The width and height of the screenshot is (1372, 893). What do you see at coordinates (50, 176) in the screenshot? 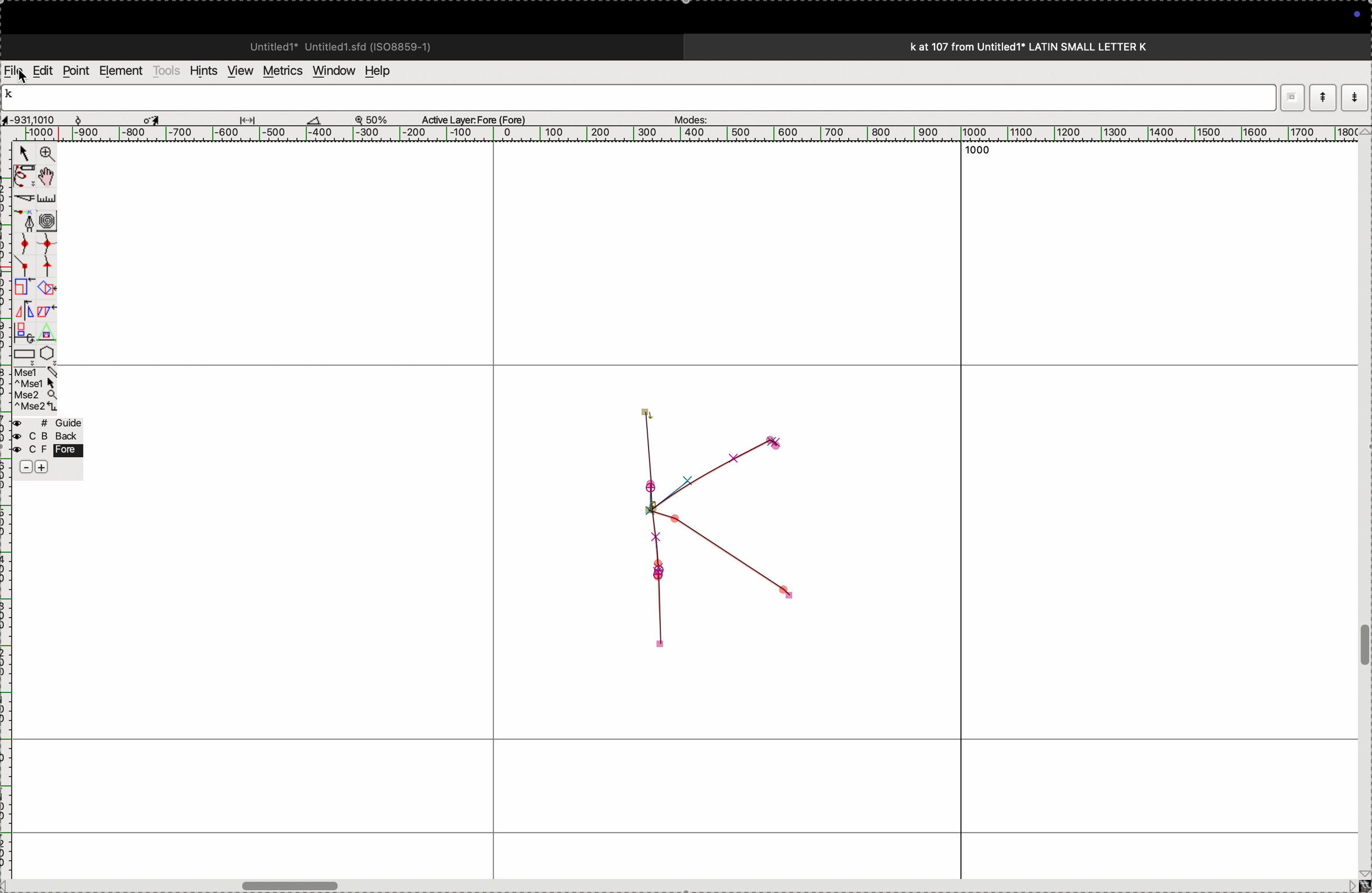
I see `toggle` at bounding box center [50, 176].